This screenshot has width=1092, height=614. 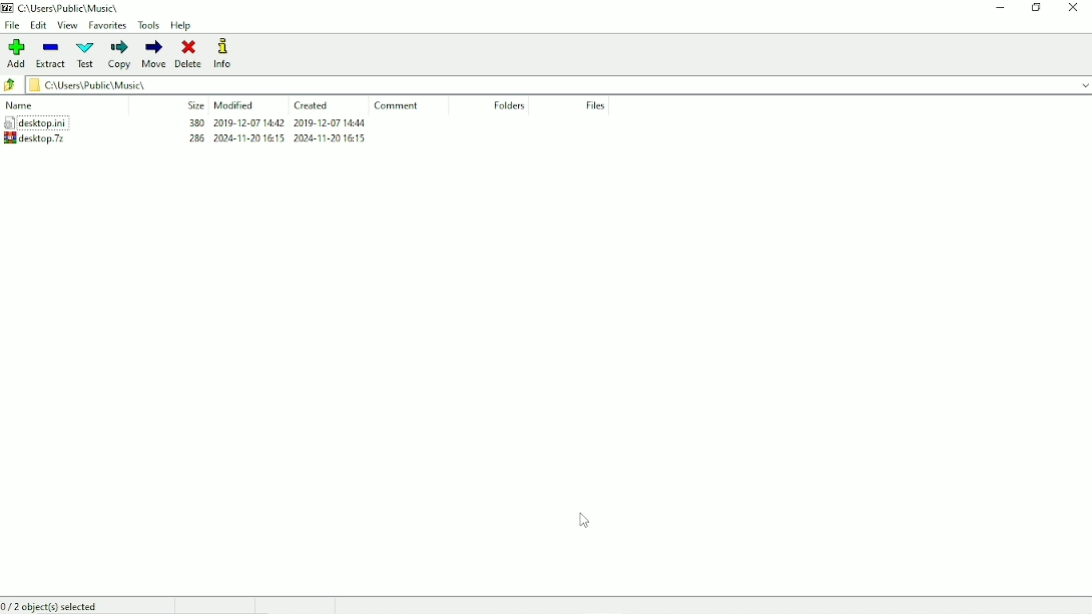 What do you see at coordinates (190, 140) in the screenshot?
I see `Archive created` at bounding box center [190, 140].